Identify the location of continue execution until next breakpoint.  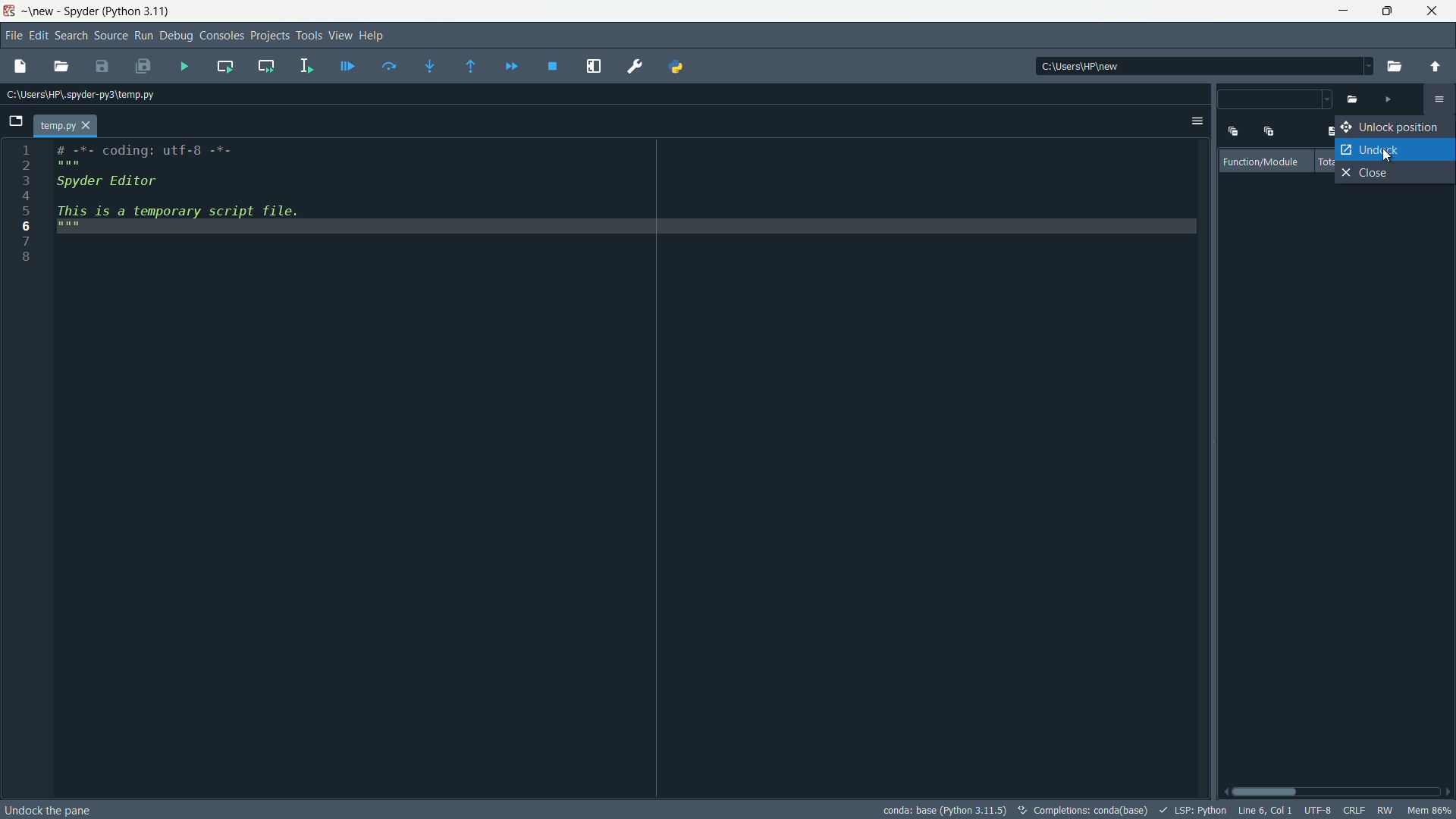
(512, 67).